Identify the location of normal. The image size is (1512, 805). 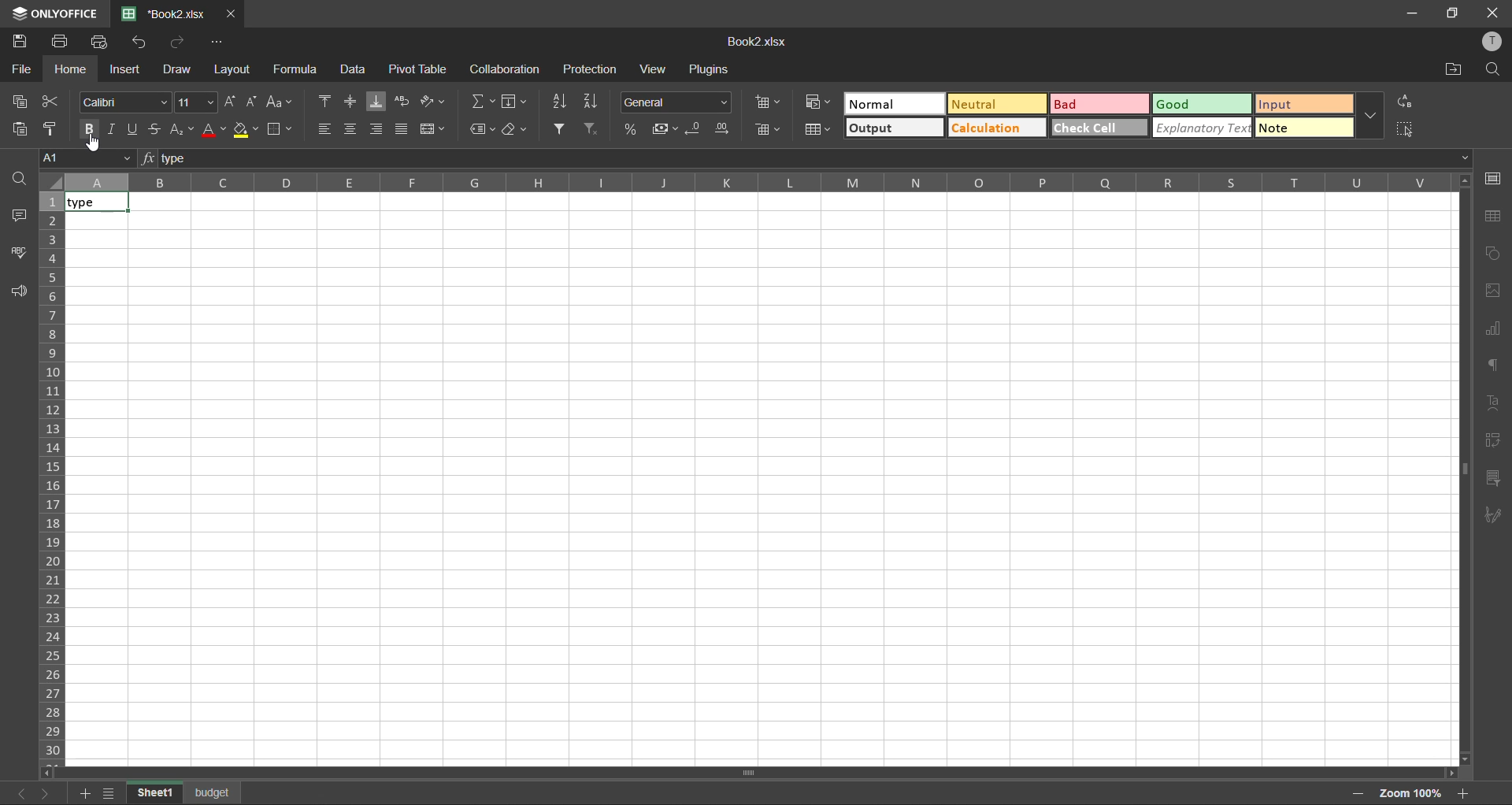
(897, 103).